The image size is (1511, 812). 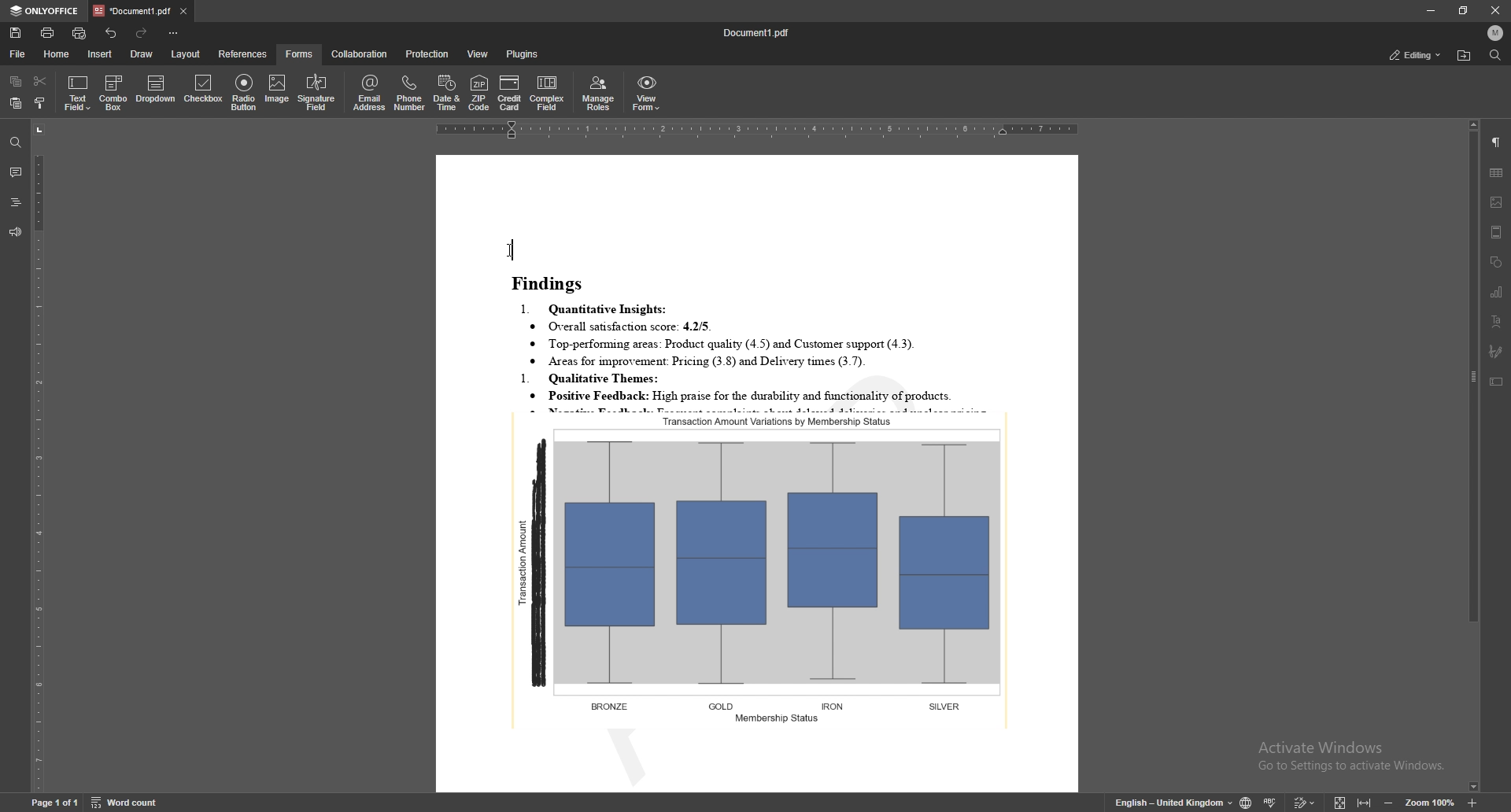 I want to click on vertical scale, so click(x=39, y=456).